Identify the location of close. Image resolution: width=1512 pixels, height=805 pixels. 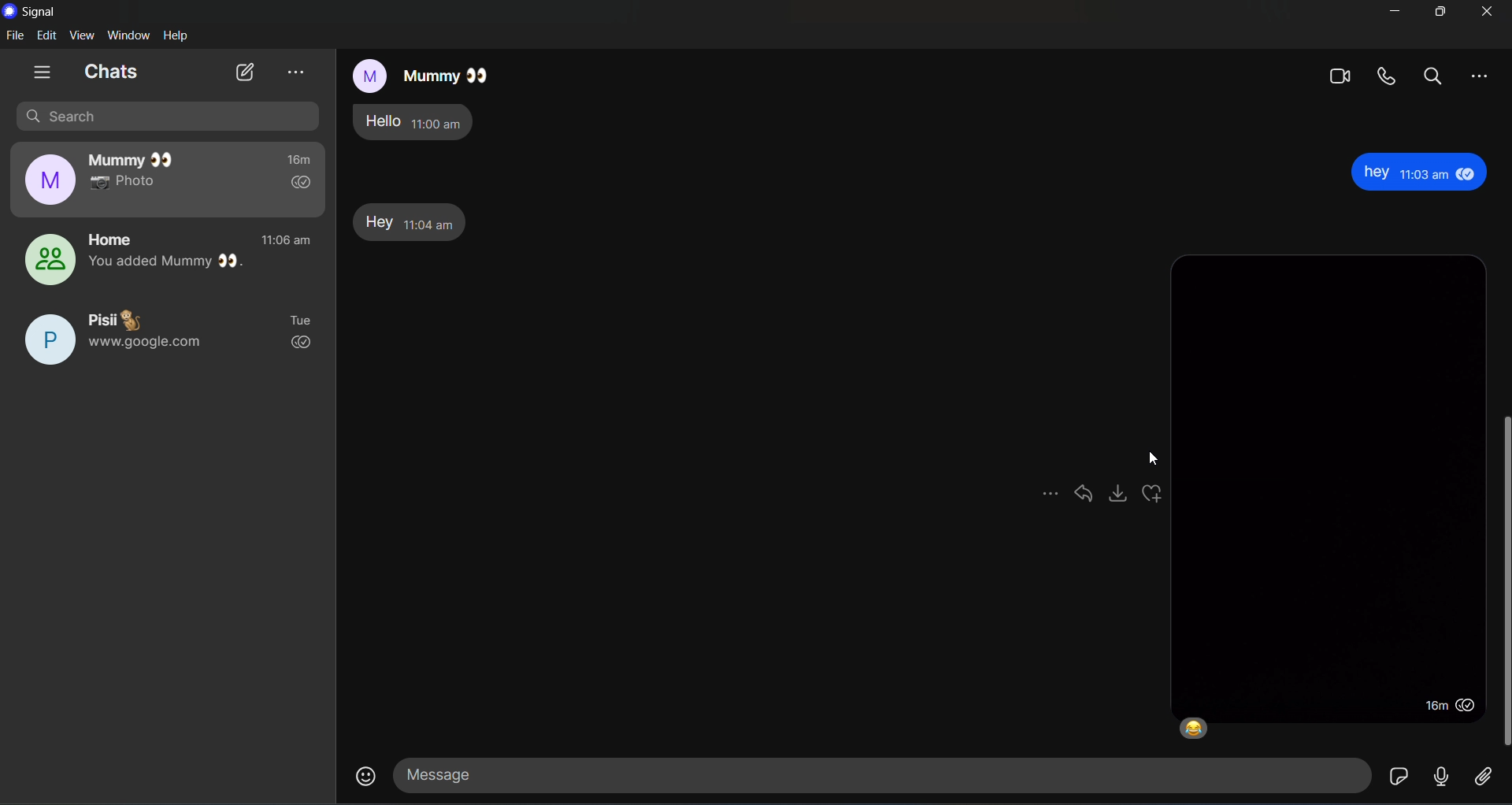
(1487, 12).